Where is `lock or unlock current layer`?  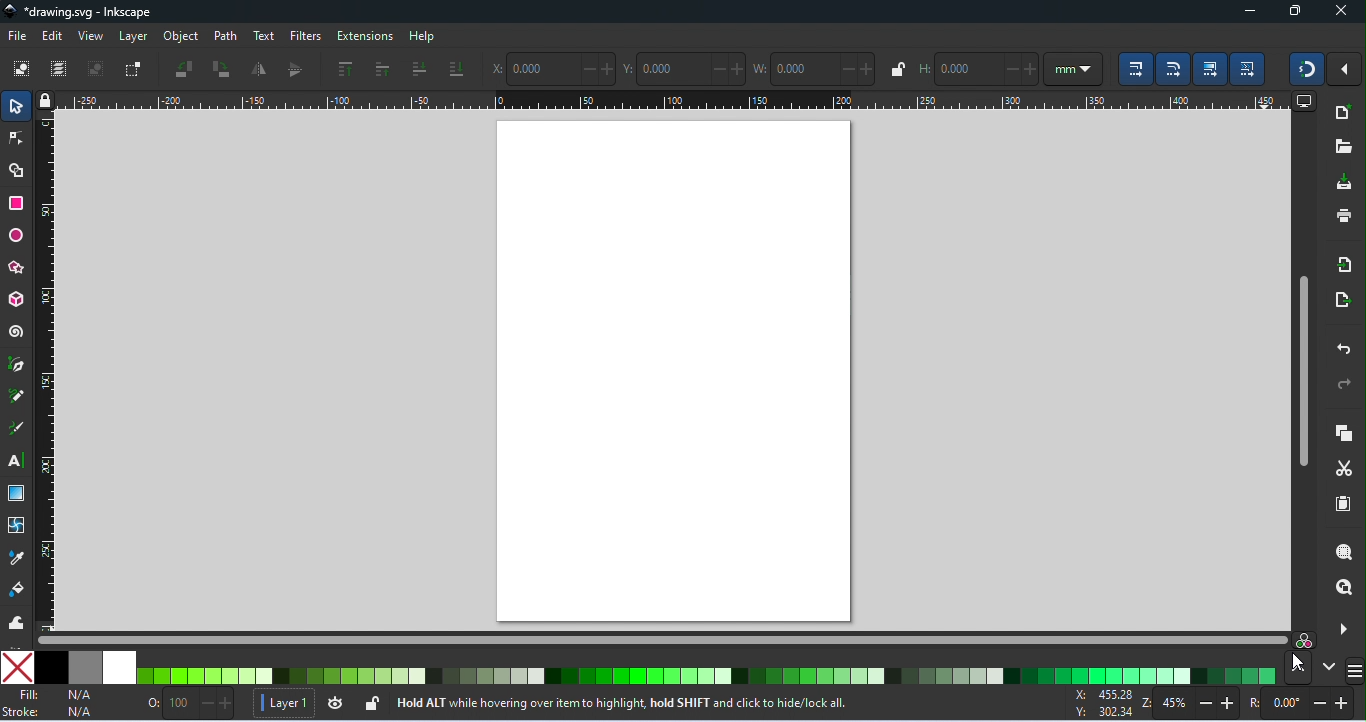 lock or unlock current layer is located at coordinates (371, 702).